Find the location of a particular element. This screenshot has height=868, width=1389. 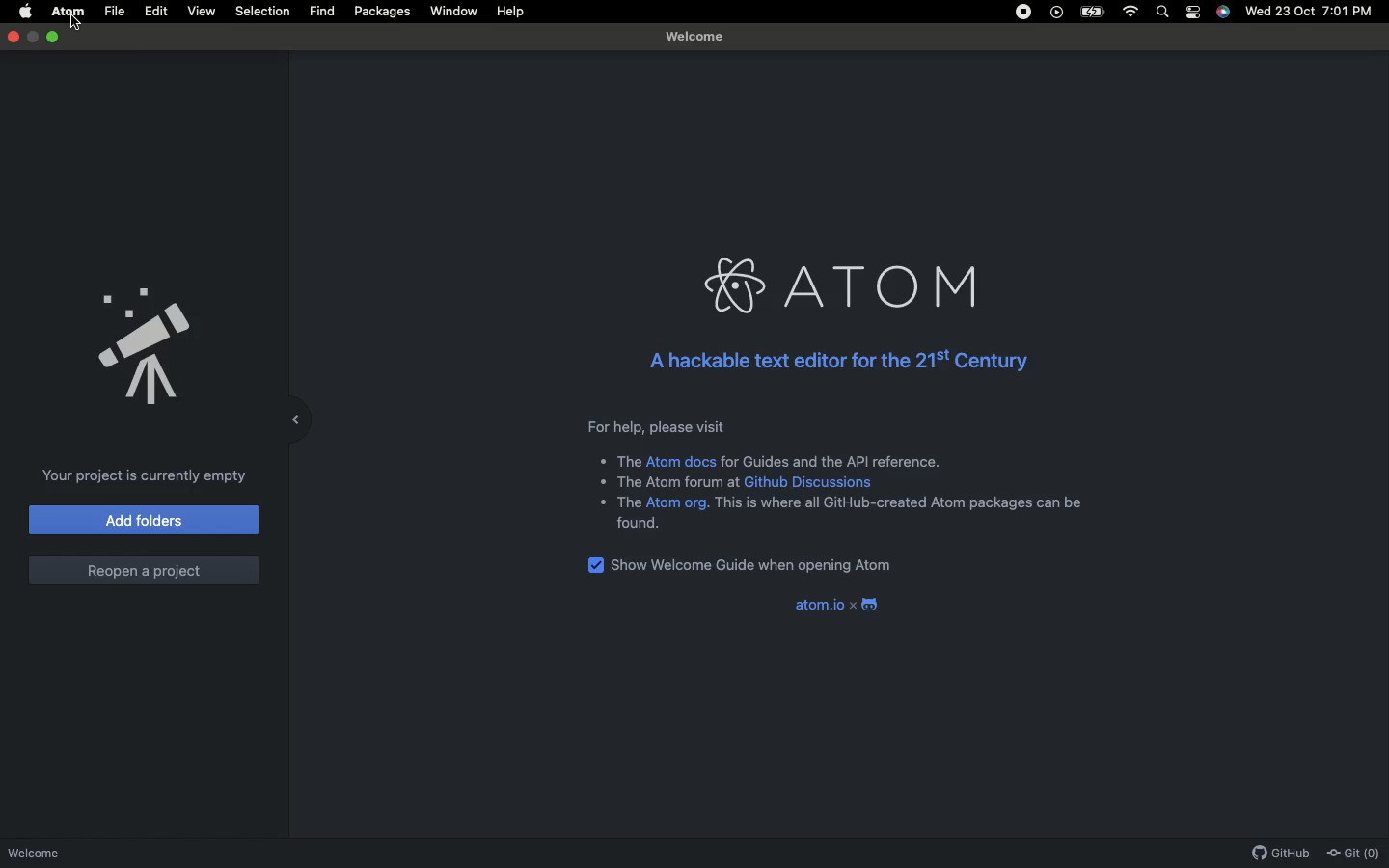

For help, please visit is located at coordinates (656, 426).